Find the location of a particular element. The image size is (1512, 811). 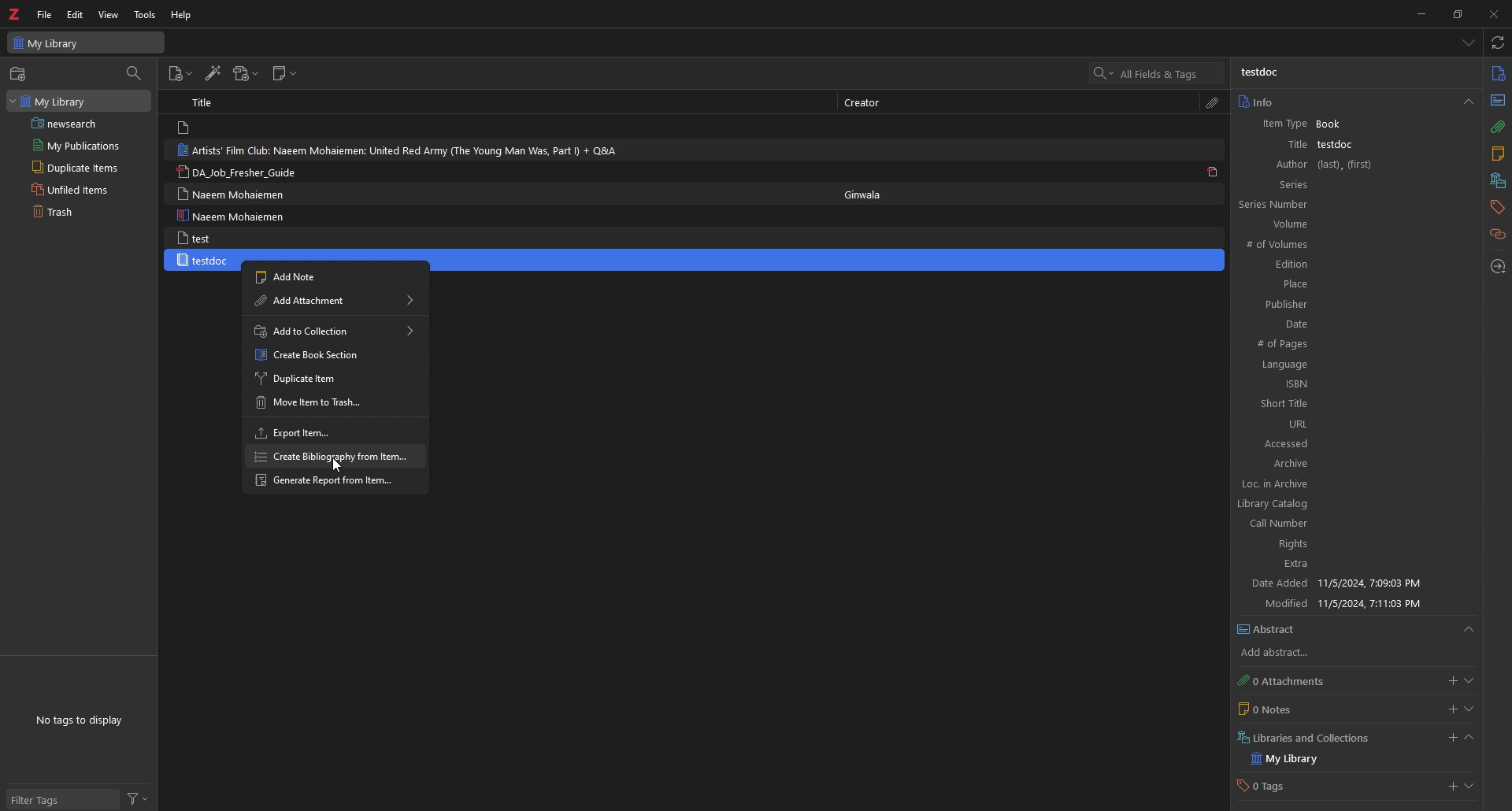

abstract is located at coordinates (1496, 99).